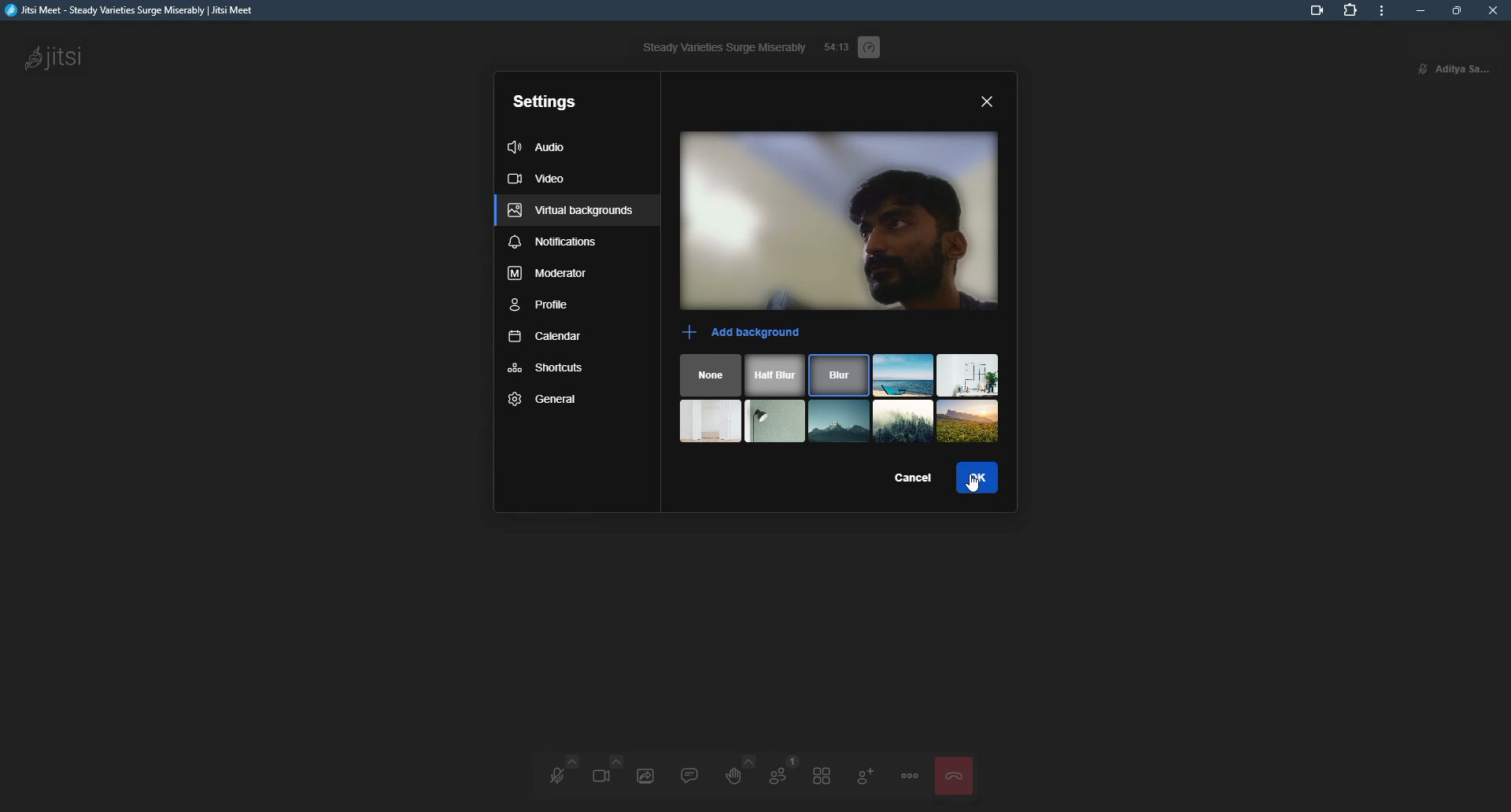 The height and width of the screenshot is (812, 1511). I want to click on minimize, so click(1417, 11).